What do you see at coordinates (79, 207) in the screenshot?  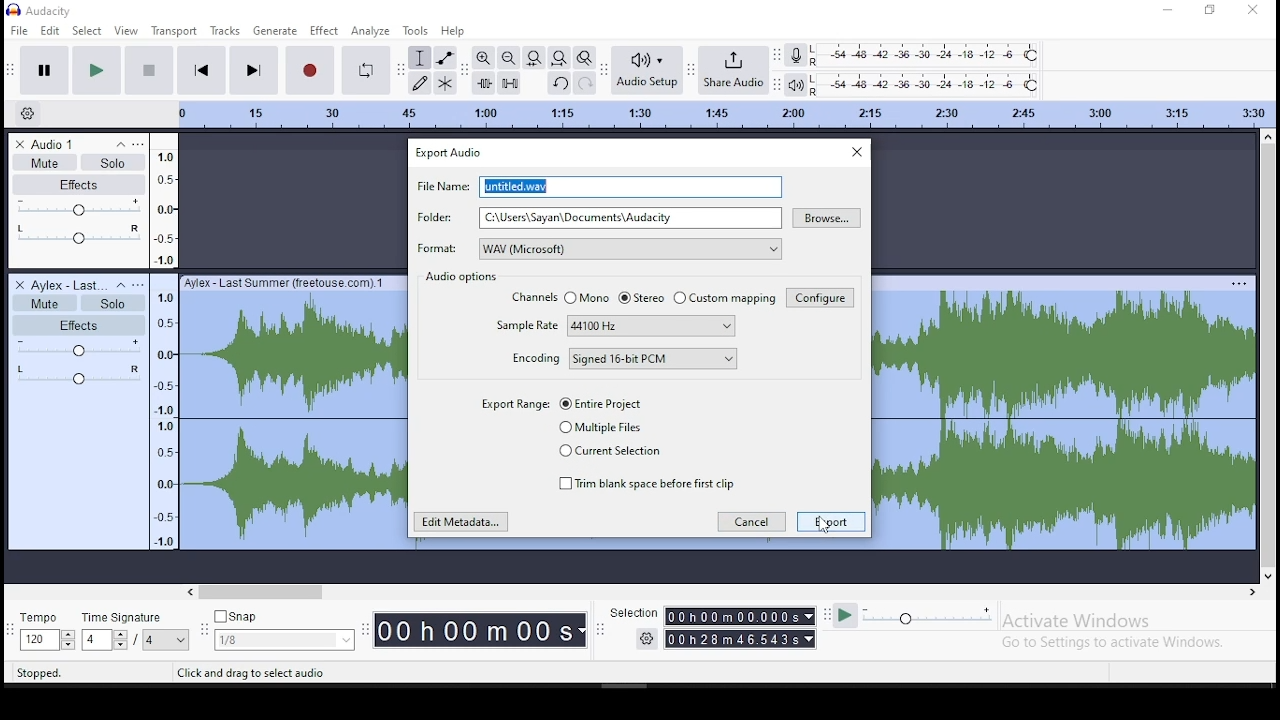 I see `volume` at bounding box center [79, 207].